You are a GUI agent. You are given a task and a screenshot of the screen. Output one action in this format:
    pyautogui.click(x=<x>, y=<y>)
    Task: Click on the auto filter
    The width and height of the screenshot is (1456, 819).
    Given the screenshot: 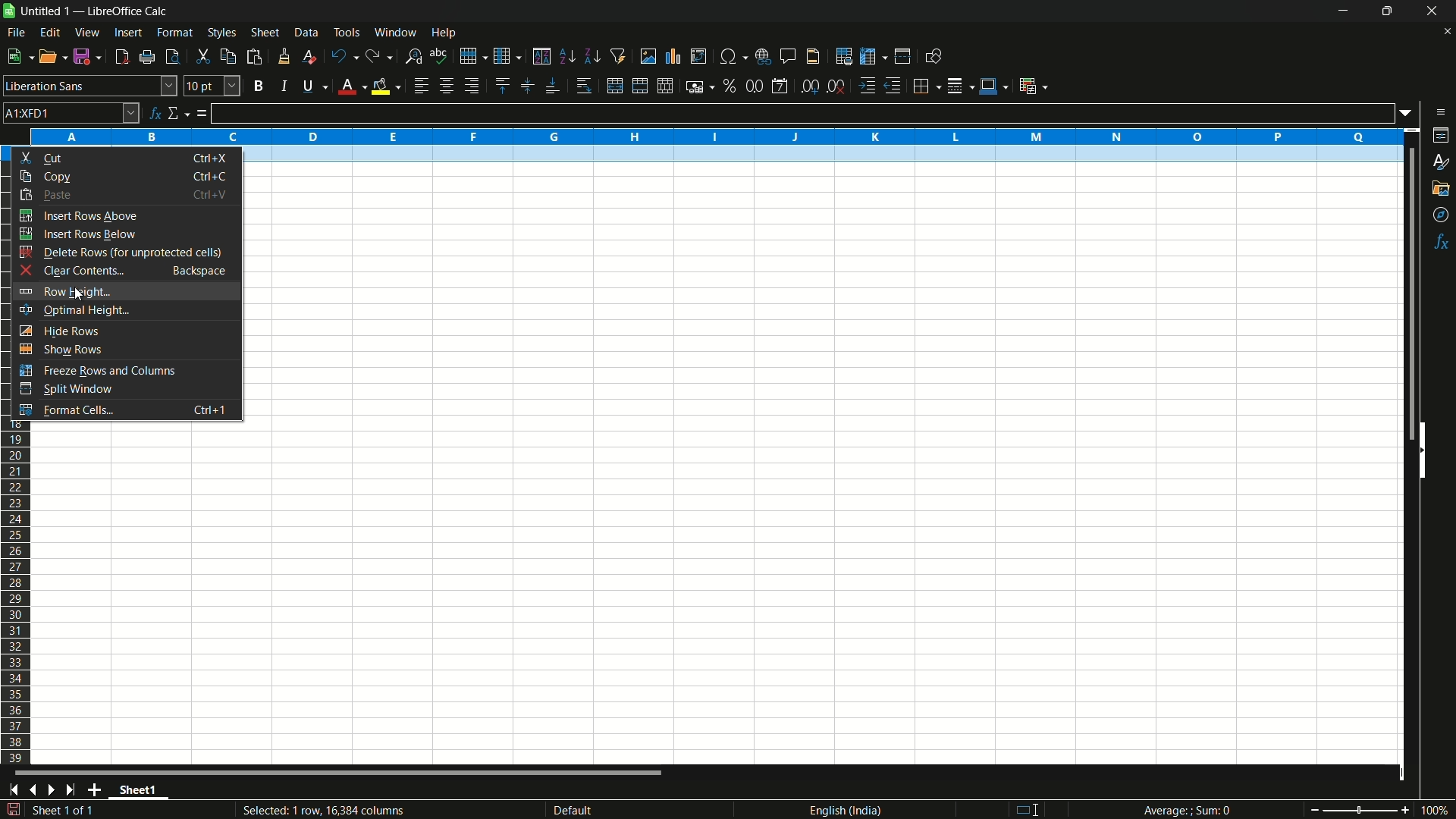 What is the action you would take?
    pyautogui.click(x=619, y=56)
    